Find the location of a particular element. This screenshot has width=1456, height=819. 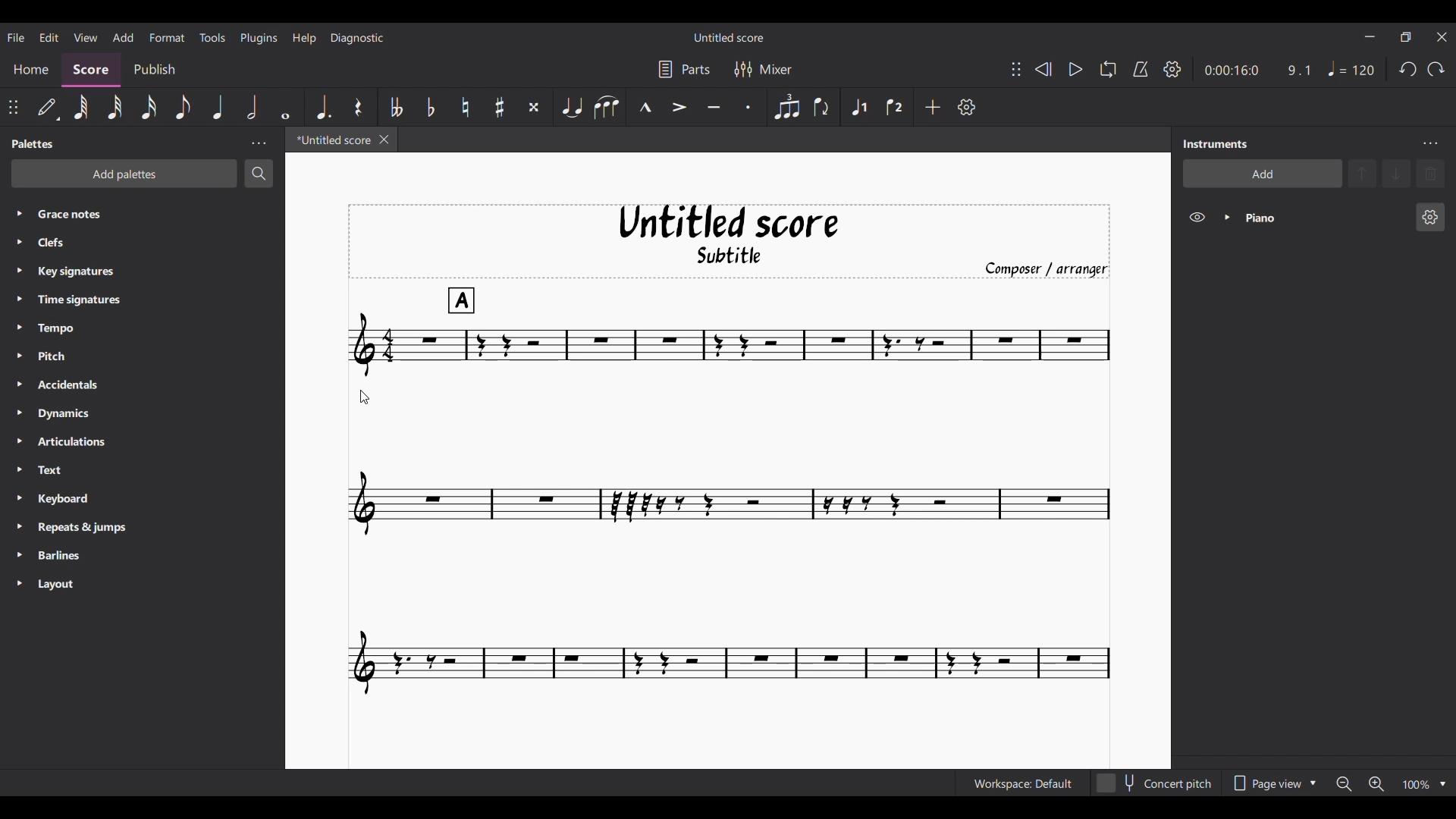

Voice 2 is located at coordinates (894, 108).